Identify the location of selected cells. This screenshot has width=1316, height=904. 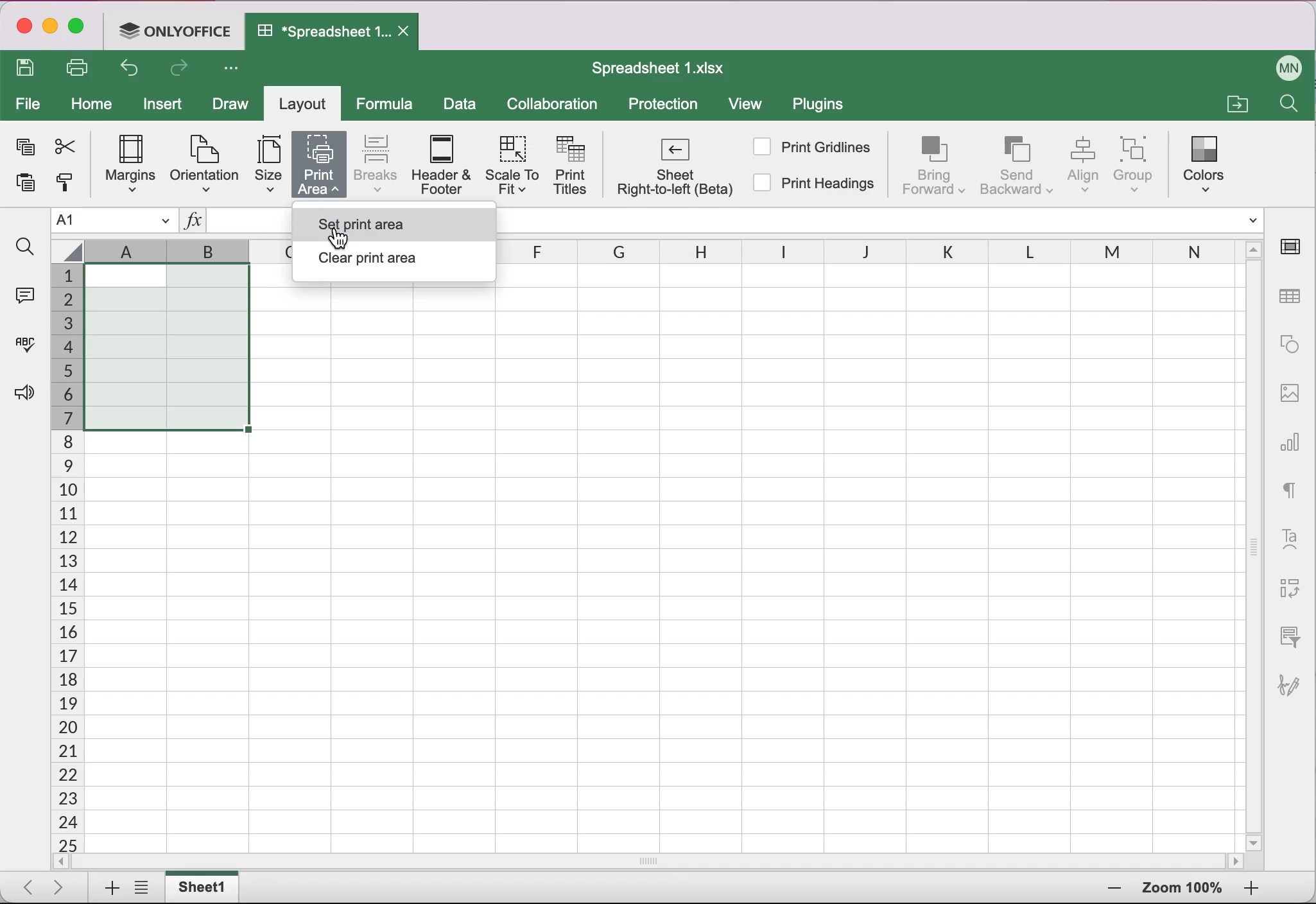
(165, 346).